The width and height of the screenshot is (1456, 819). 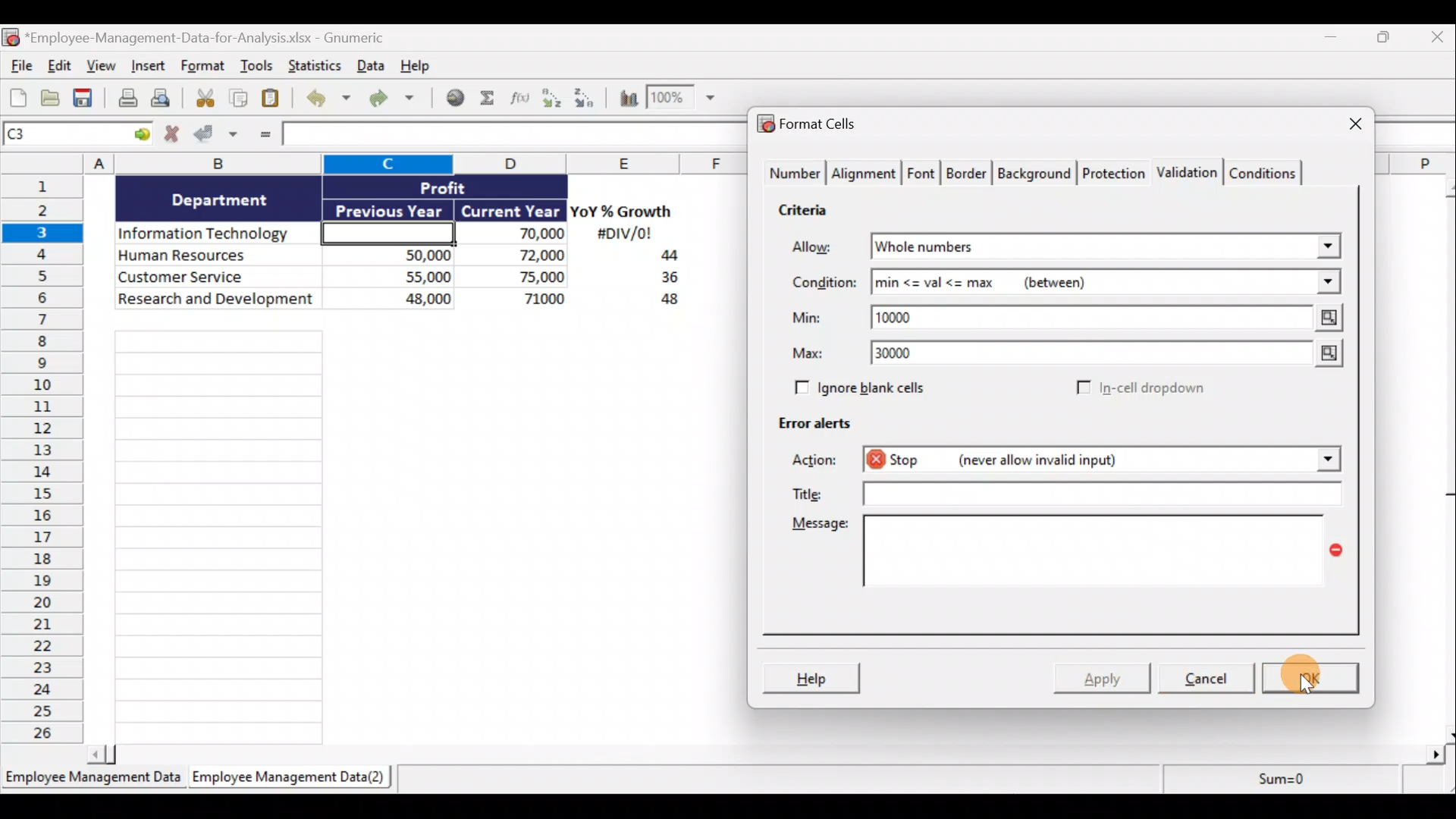 What do you see at coordinates (509, 212) in the screenshot?
I see `Current Year` at bounding box center [509, 212].